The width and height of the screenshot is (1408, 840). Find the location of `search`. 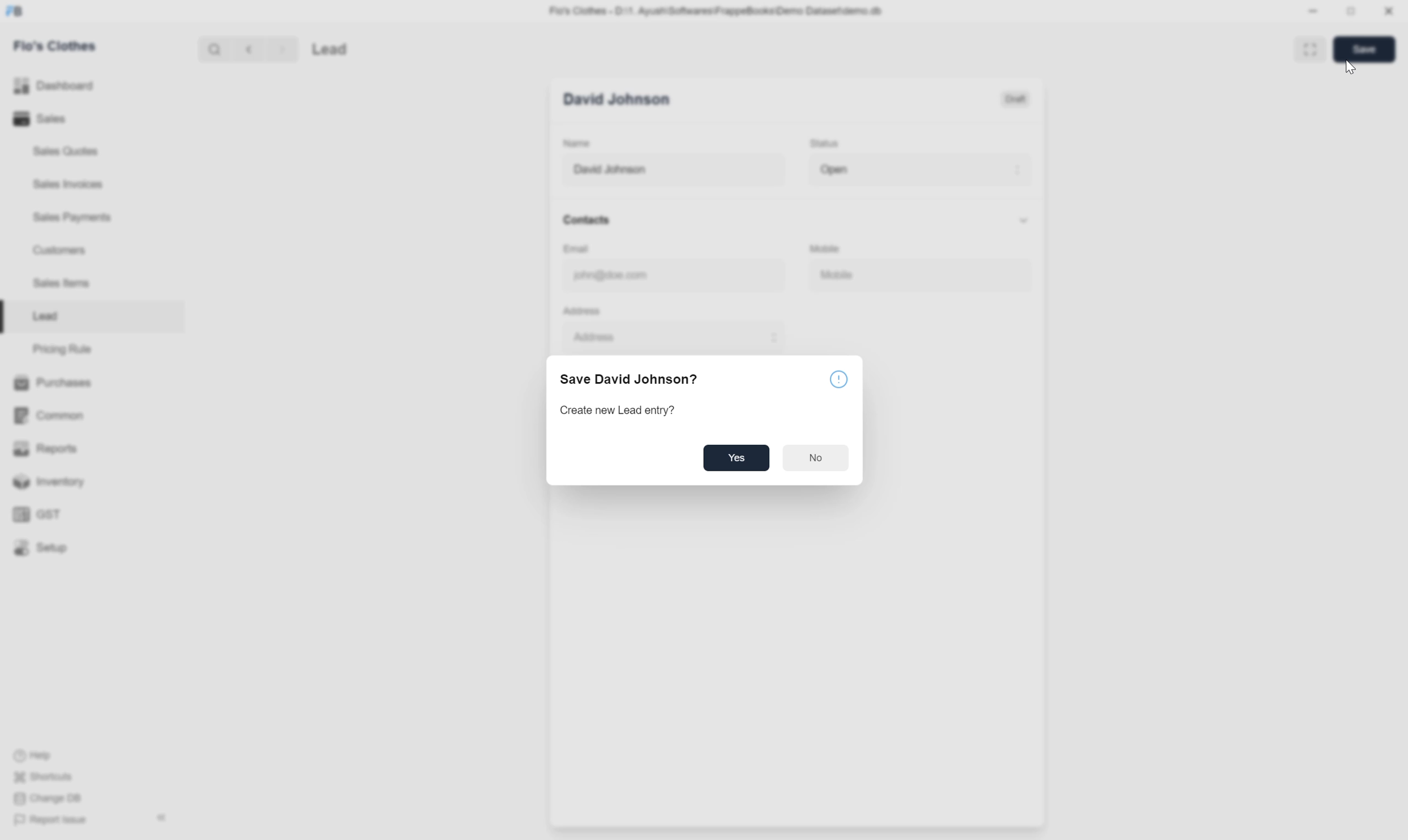

search is located at coordinates (213, 48).